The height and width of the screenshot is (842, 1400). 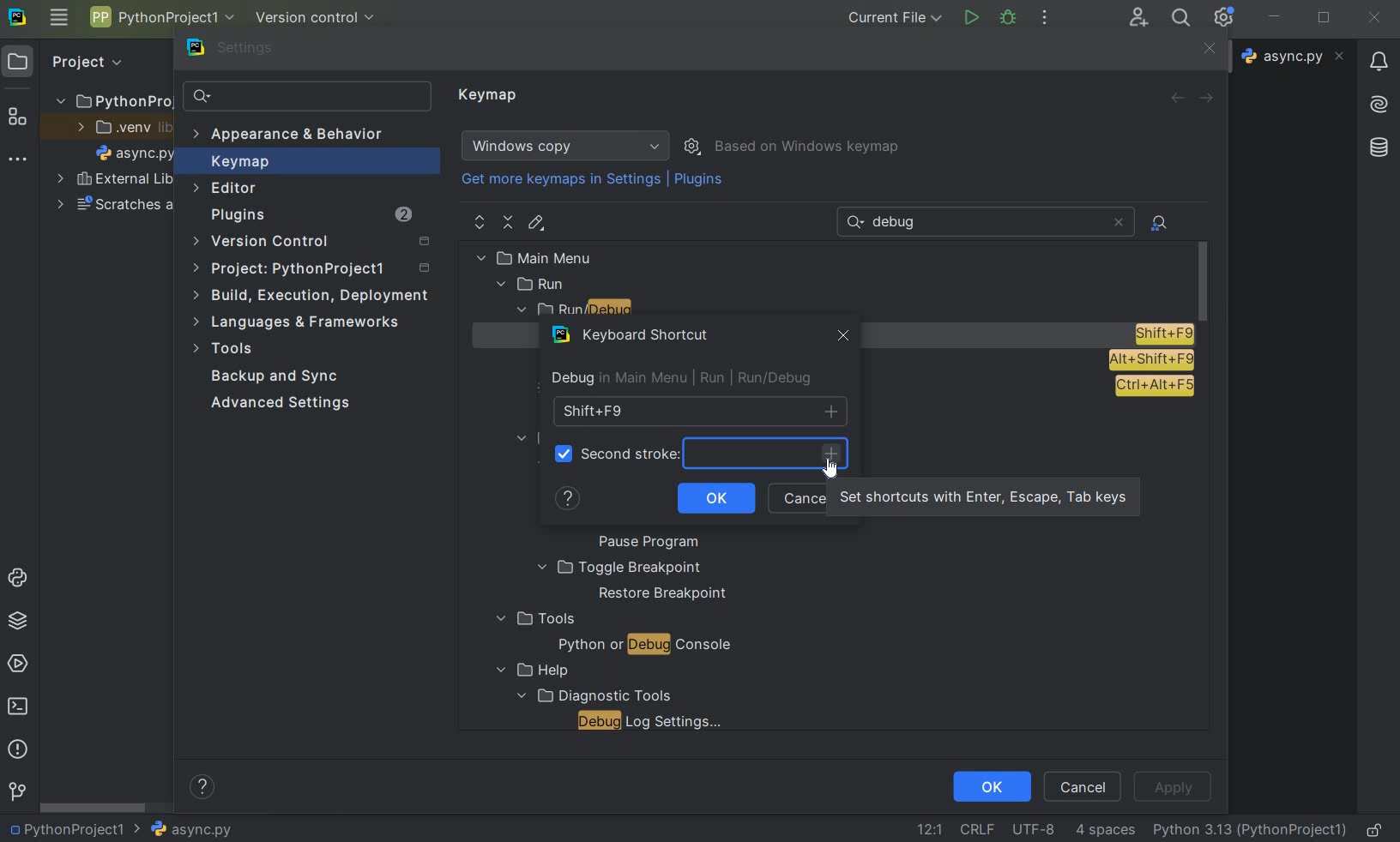 What do you see at coordinates (831, 467) in the screenshot?
I see `cursor` at bounding box center [831, 467].